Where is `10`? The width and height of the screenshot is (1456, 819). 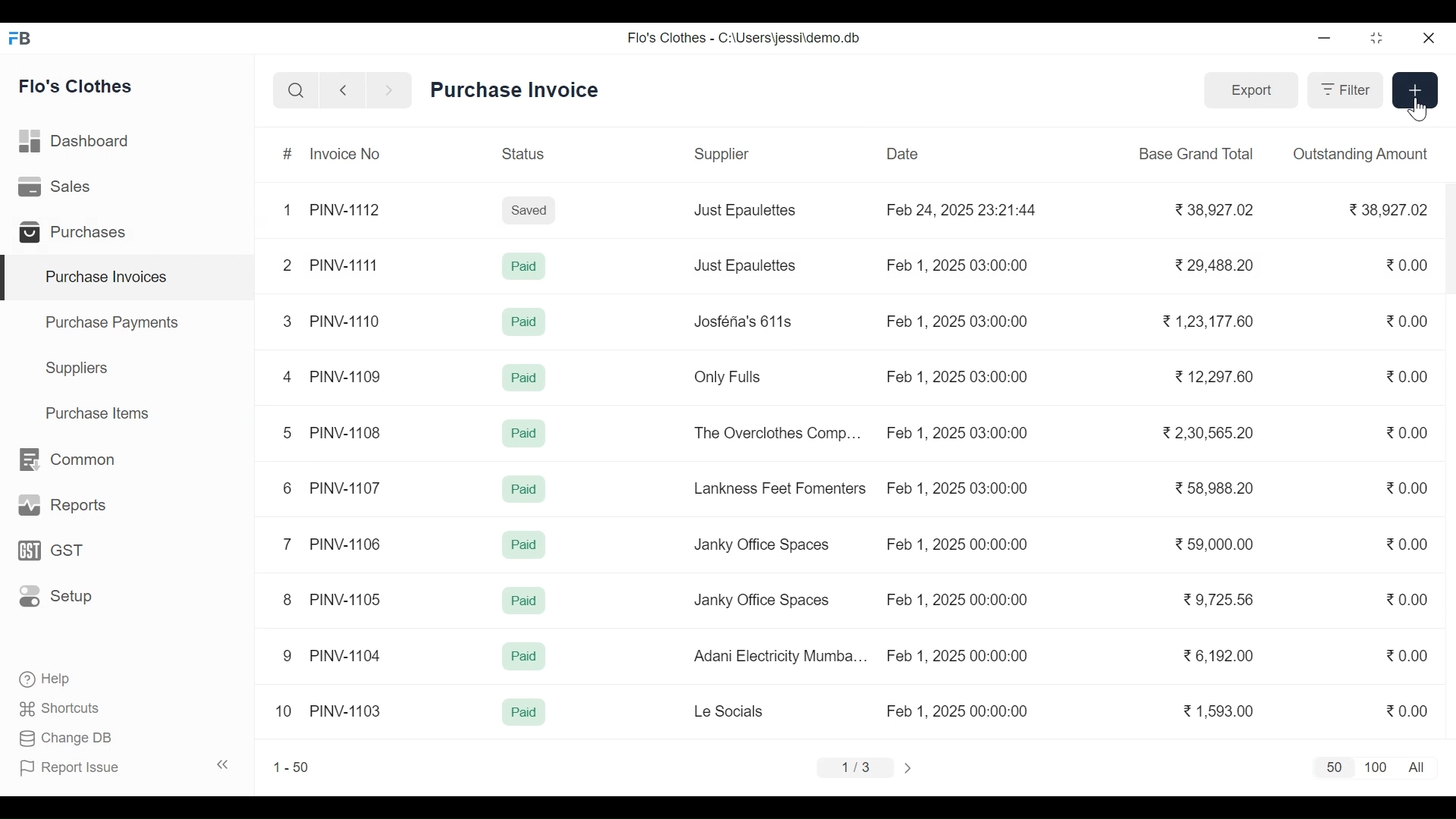
10 is located at coordinates (284, 711).